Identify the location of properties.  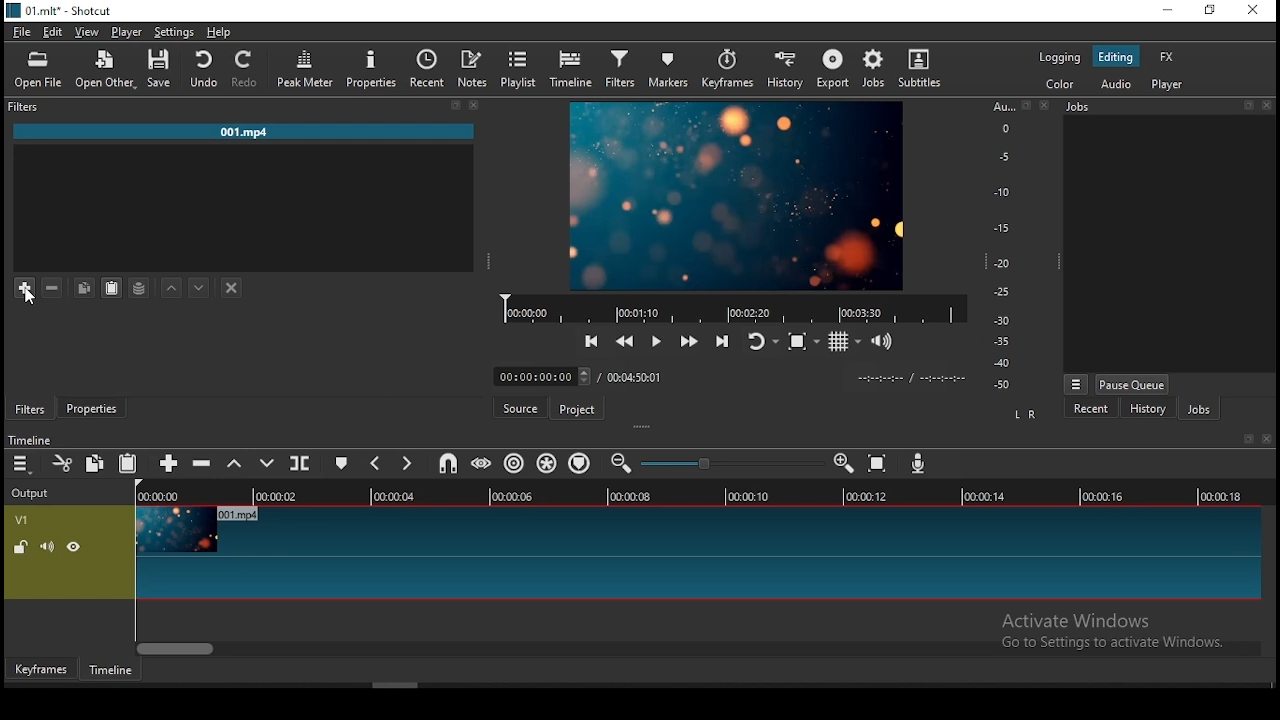
(375, 67).